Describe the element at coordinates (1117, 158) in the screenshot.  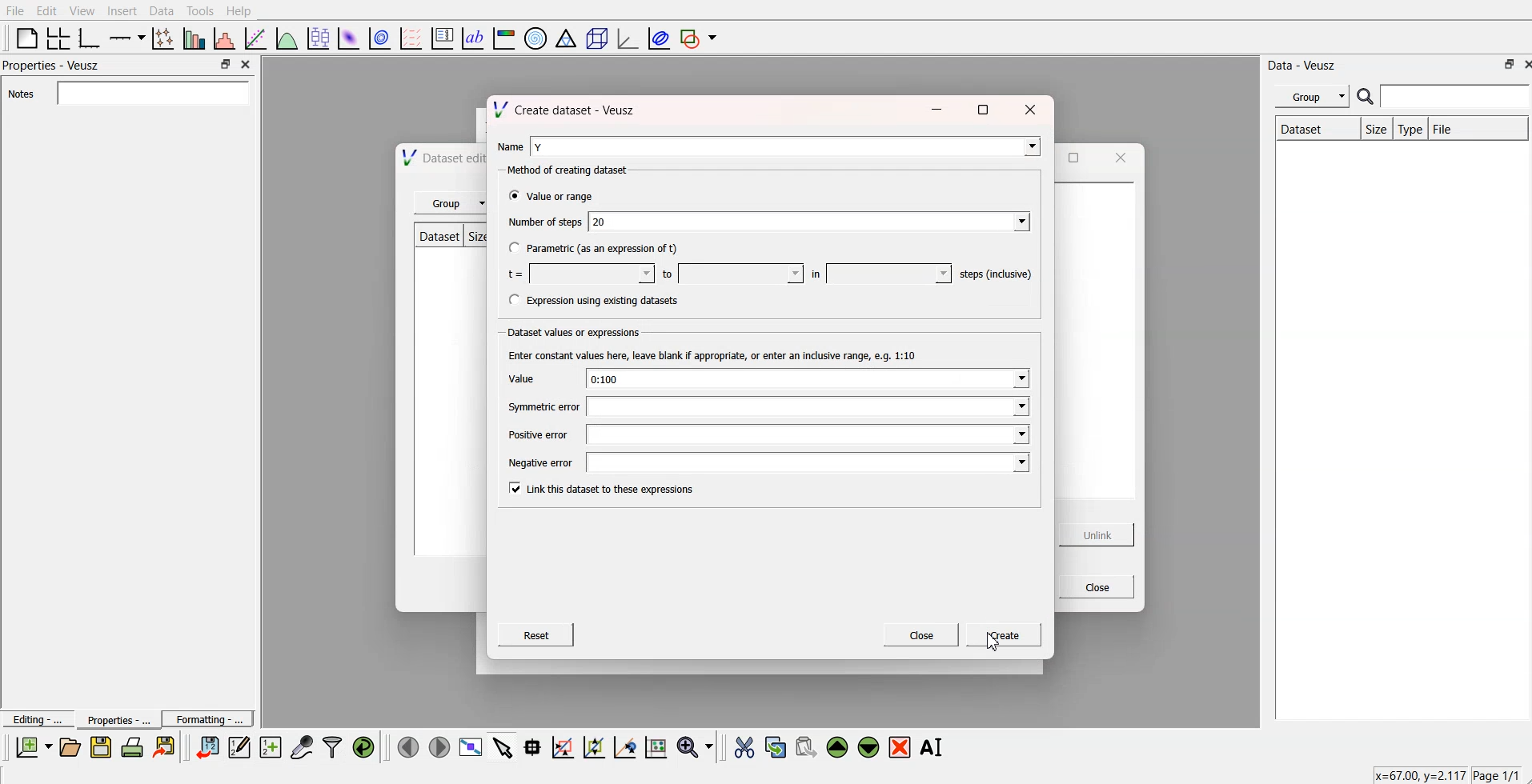
I see `close` at that location.